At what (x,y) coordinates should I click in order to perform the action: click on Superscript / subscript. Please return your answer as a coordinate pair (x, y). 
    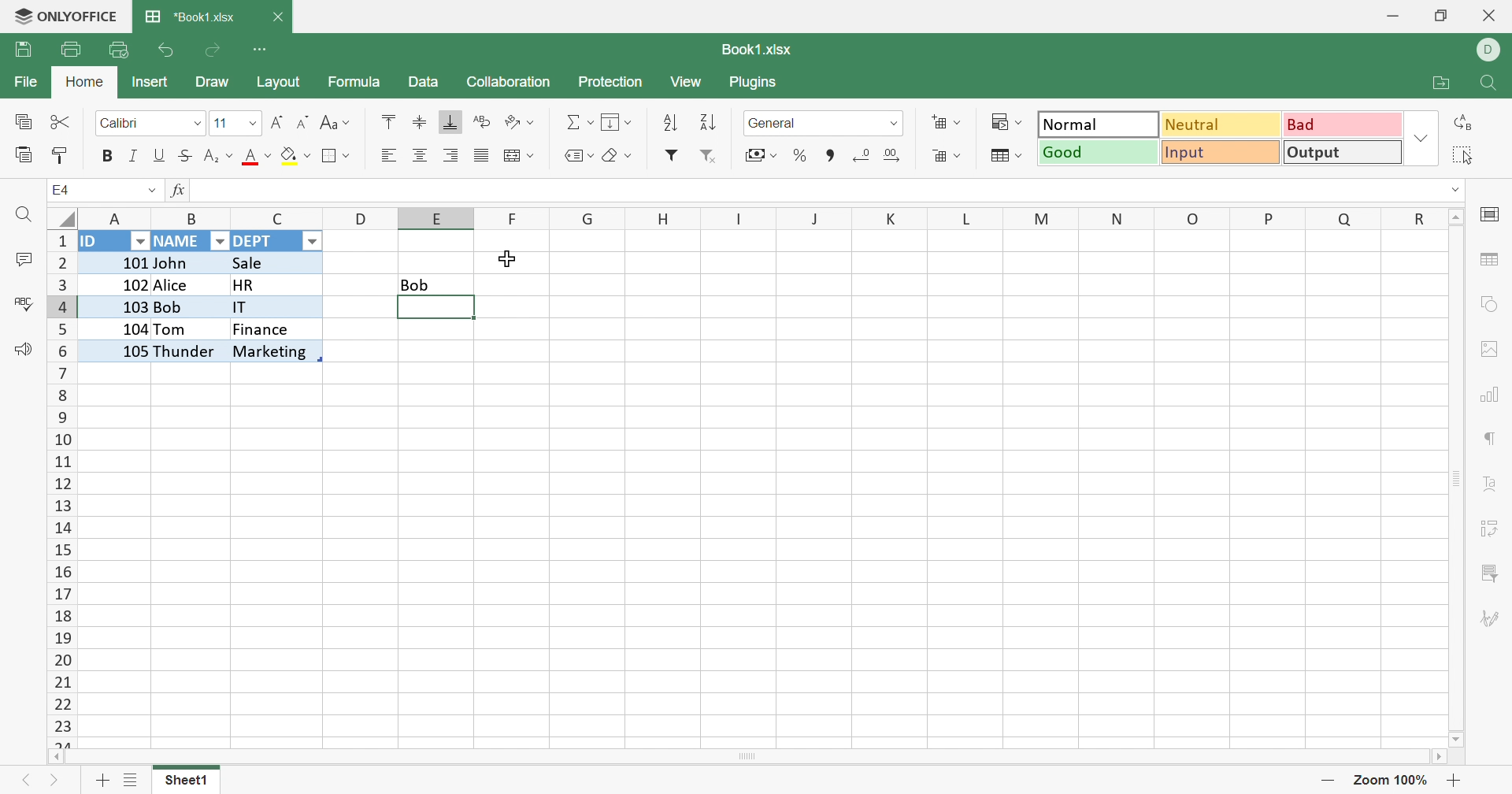
    Looking at the image, I should click on (219, 157).